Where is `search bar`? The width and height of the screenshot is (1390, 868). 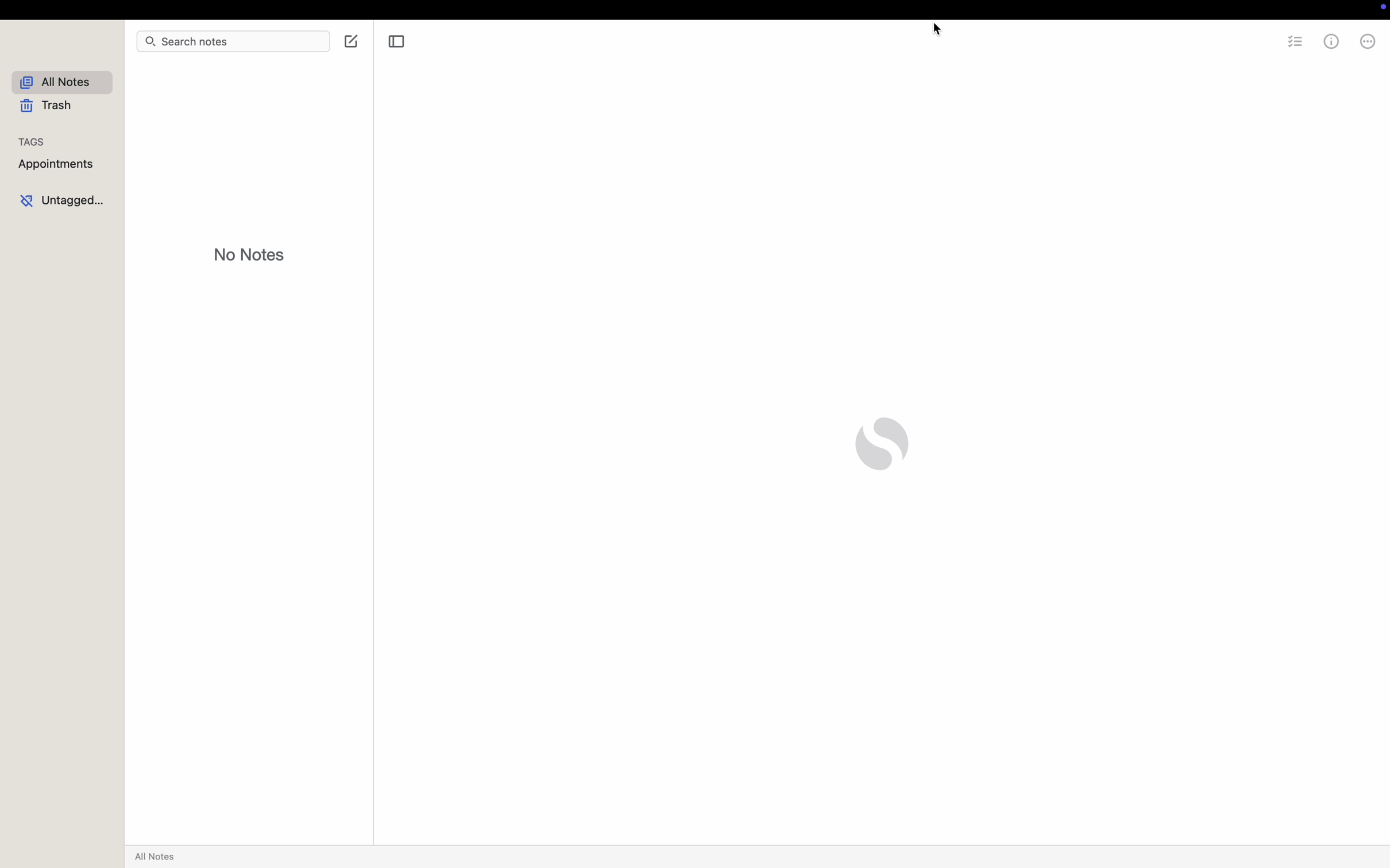 search bar is located at coordinates (232, 43).